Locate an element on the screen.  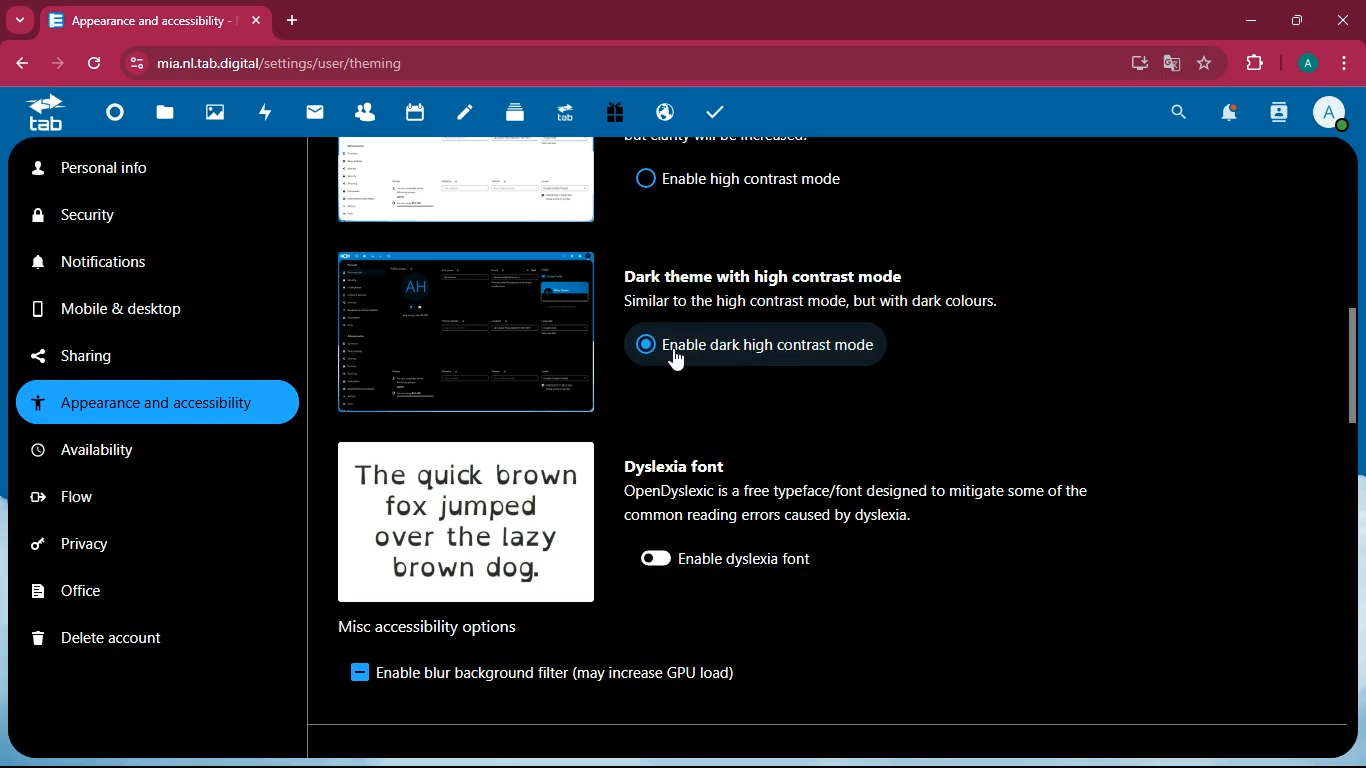
on/off is located at coordinates (650, 559).